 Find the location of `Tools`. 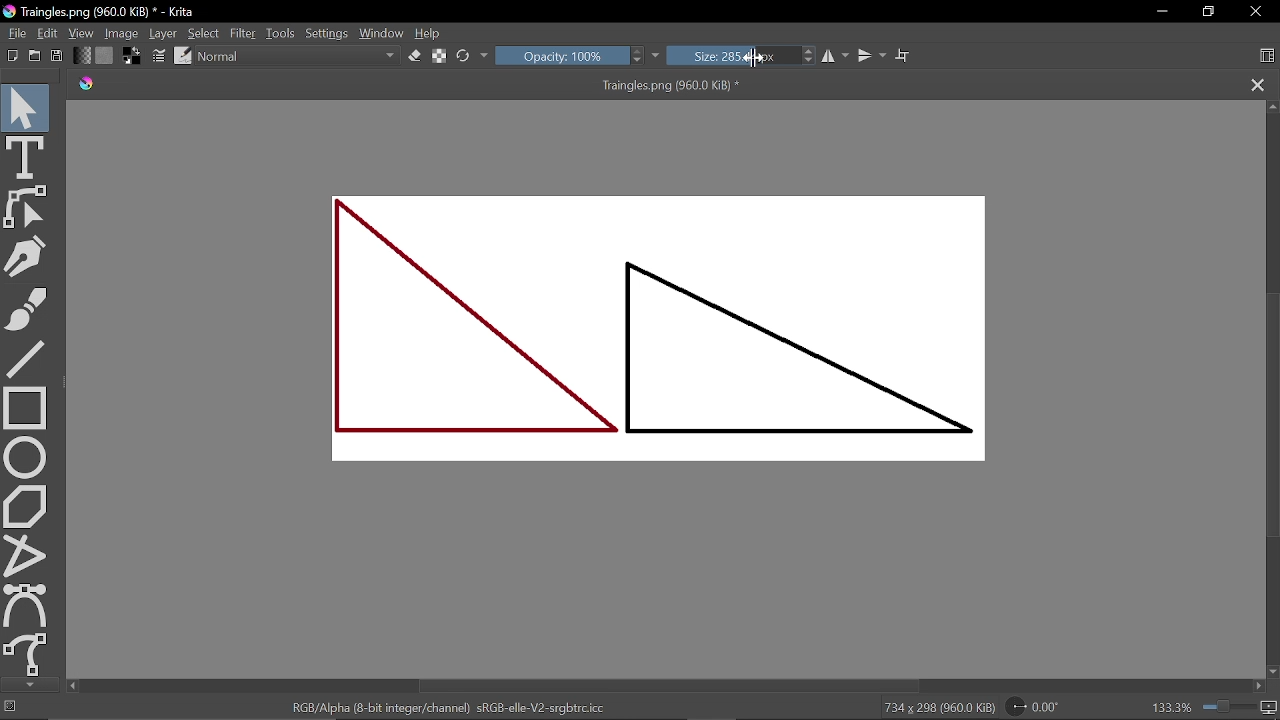

Tools is located at coordinates (281, 33).